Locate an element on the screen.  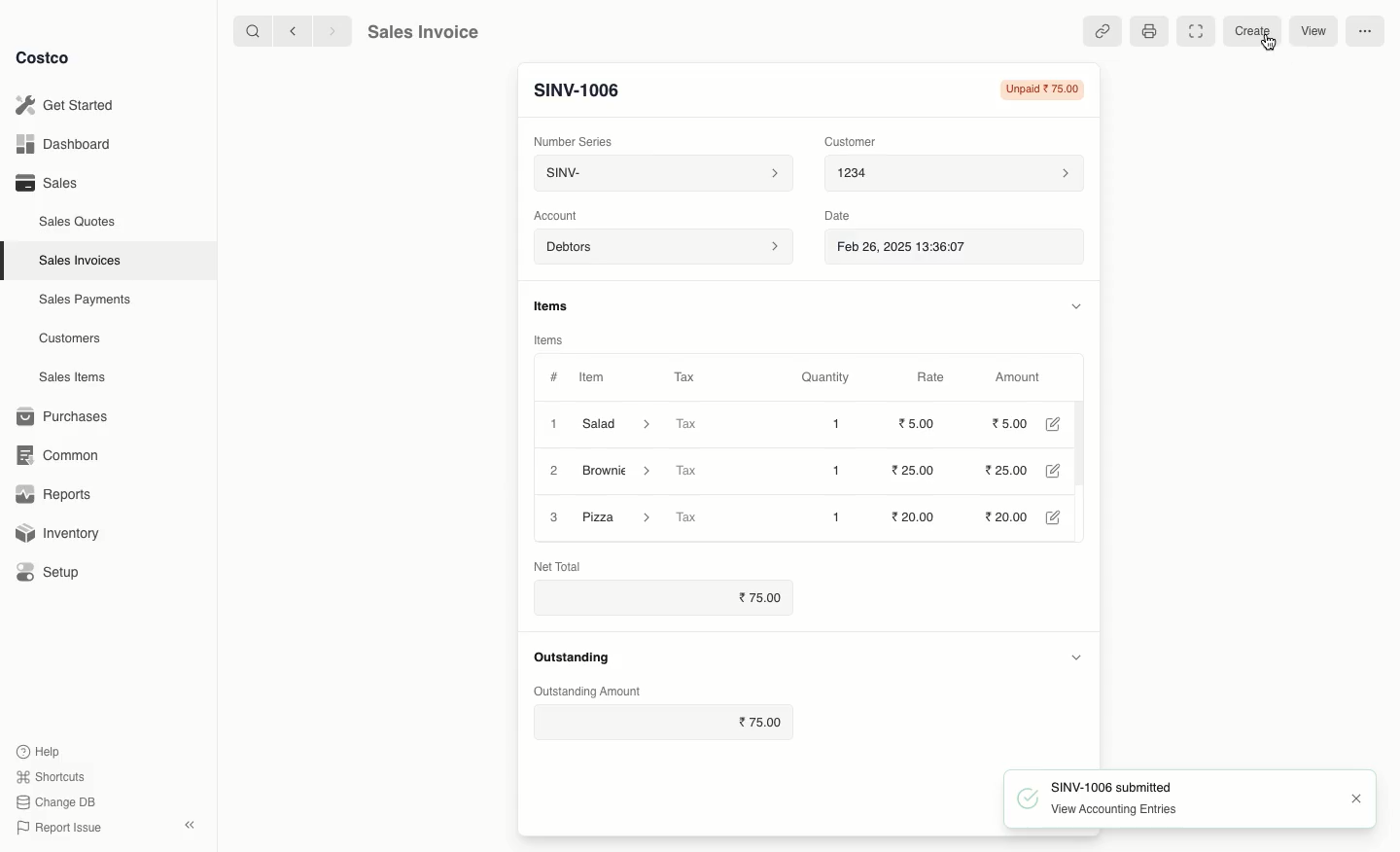
Customers is located at coordinates (70, 337).